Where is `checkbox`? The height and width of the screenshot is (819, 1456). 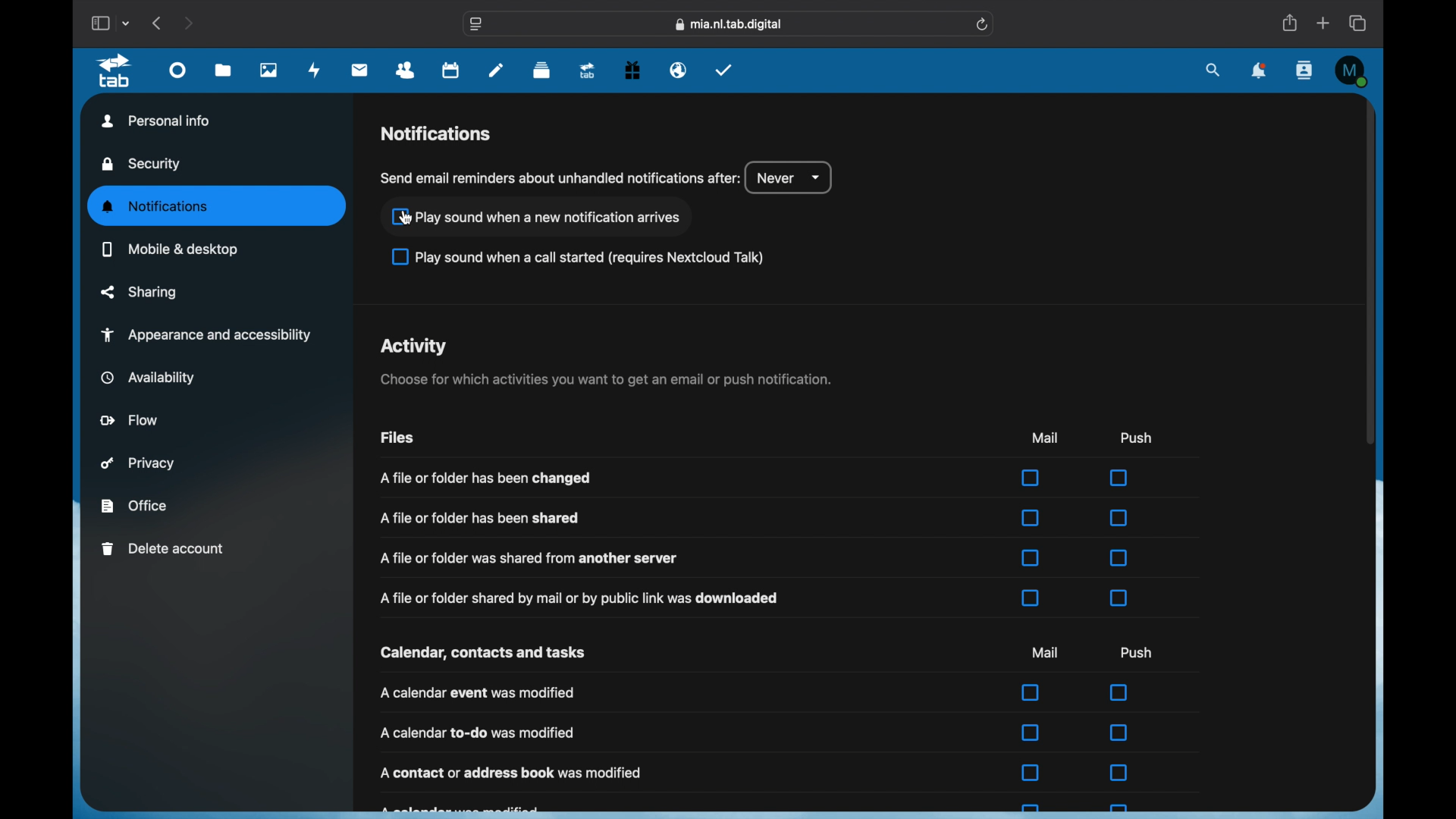 checkbox is located at coordinates (1118, 808).